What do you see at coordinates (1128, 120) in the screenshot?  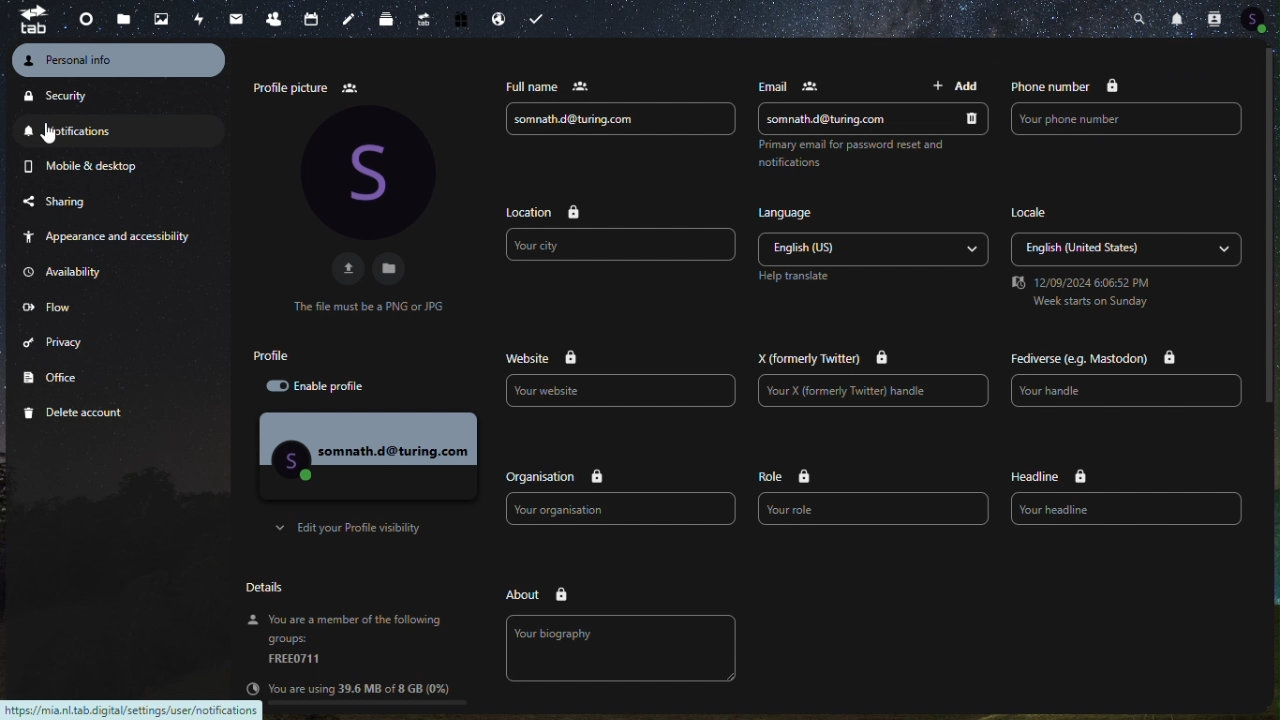 I see `Your phone number` at bounding box center [1128, 120].